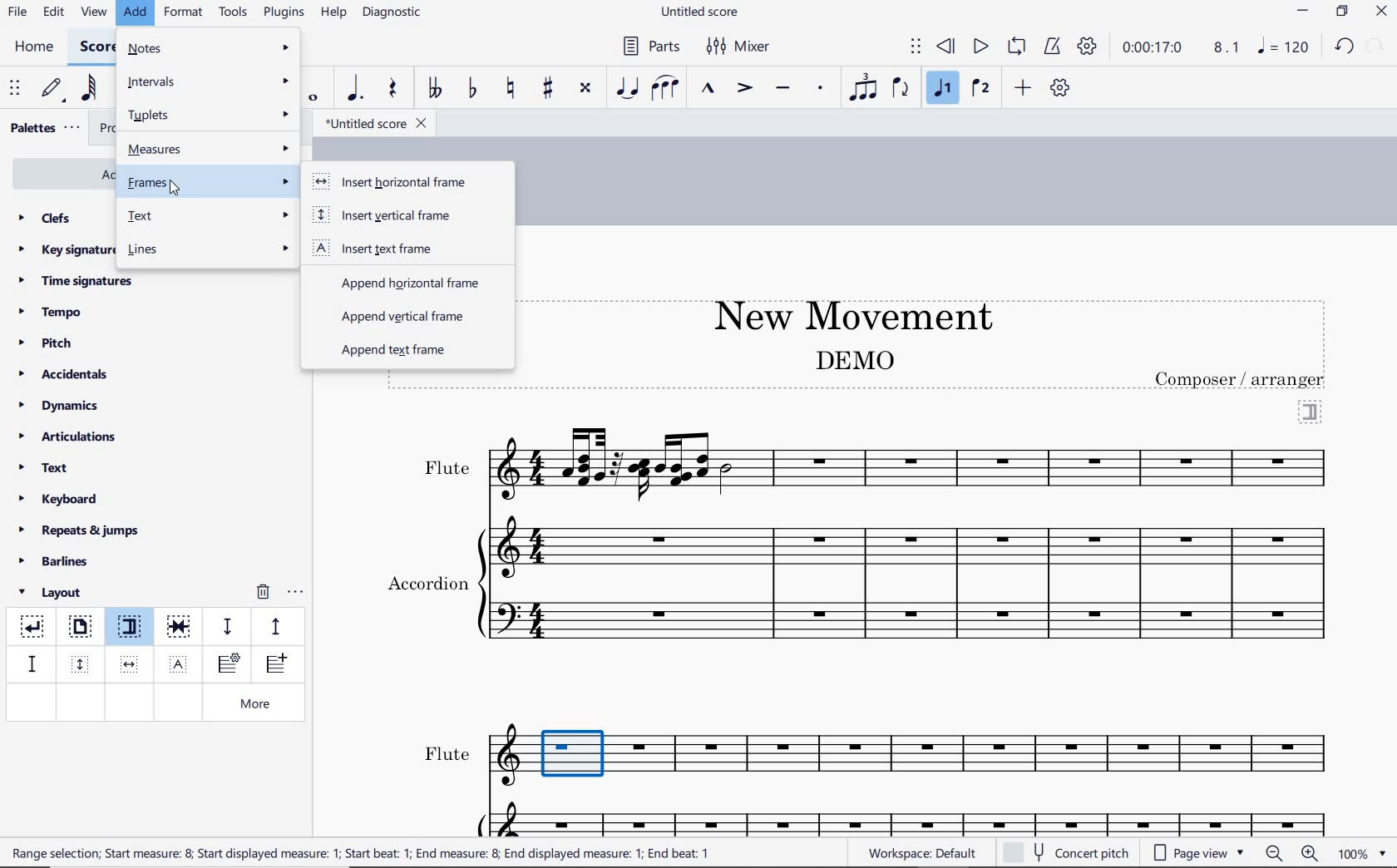 The image size is (1397, 868). Describe the element at coordinates (947, 47) in the screenshot. I see `rewind` at that location.